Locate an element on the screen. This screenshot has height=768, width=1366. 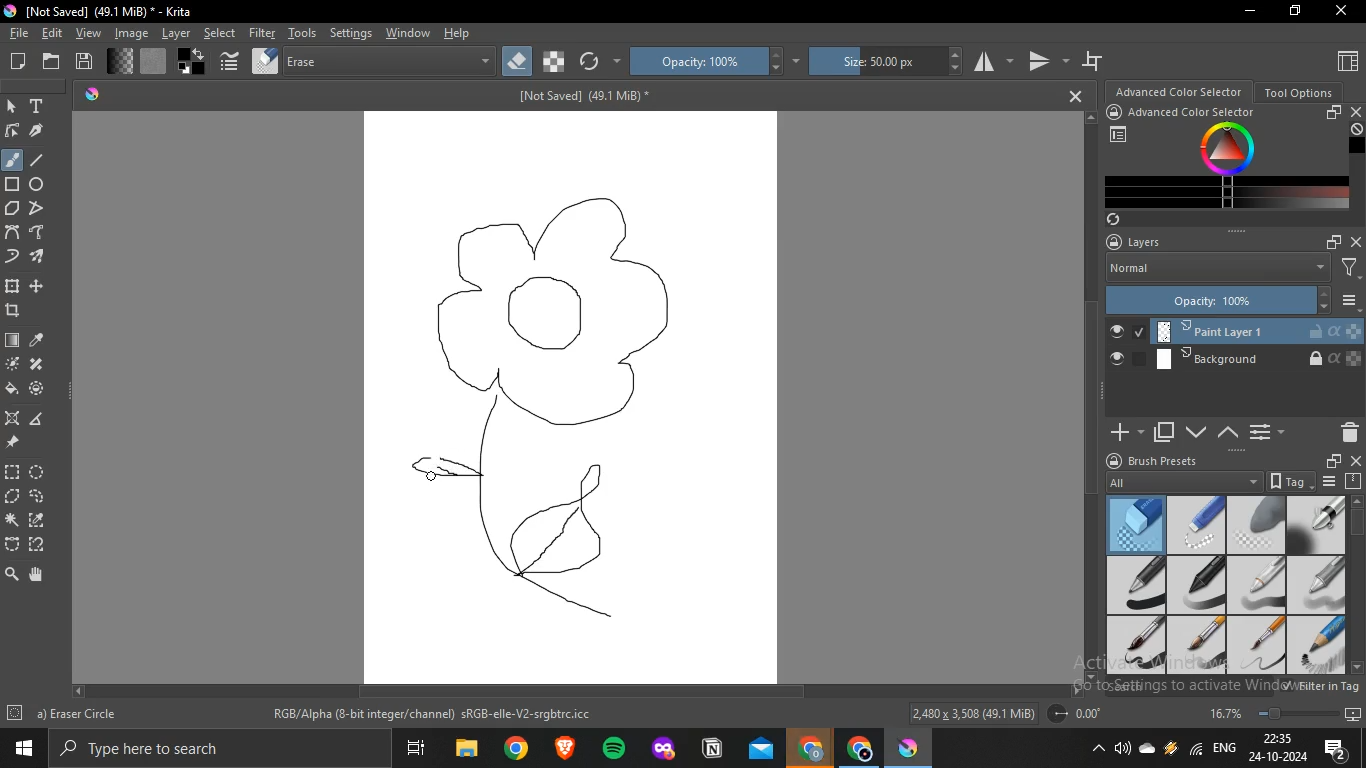
Sound is located at coordinates (1124, 748).